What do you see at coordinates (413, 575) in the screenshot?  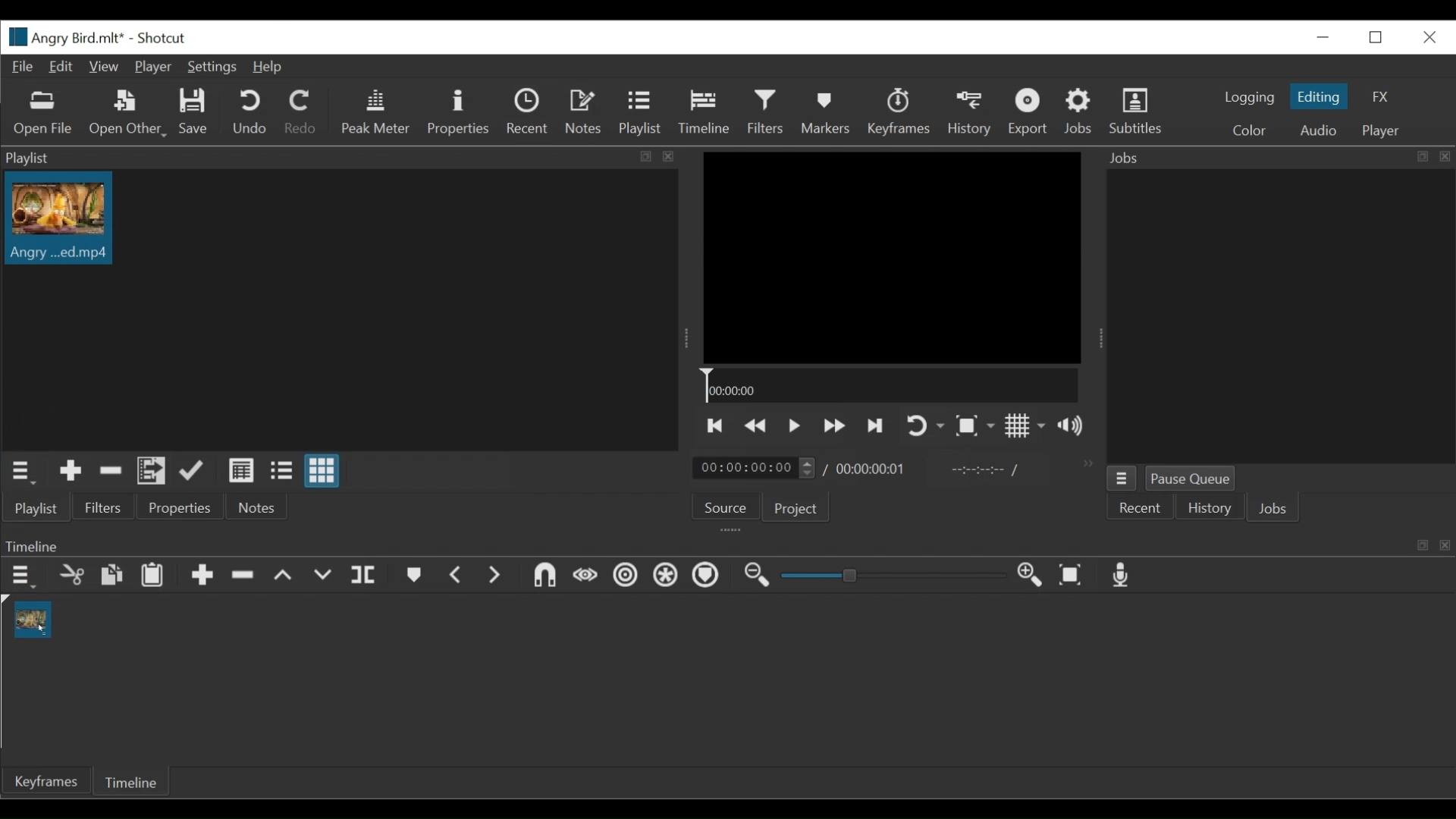 I see `Markers` at bounding box center [413, 575].